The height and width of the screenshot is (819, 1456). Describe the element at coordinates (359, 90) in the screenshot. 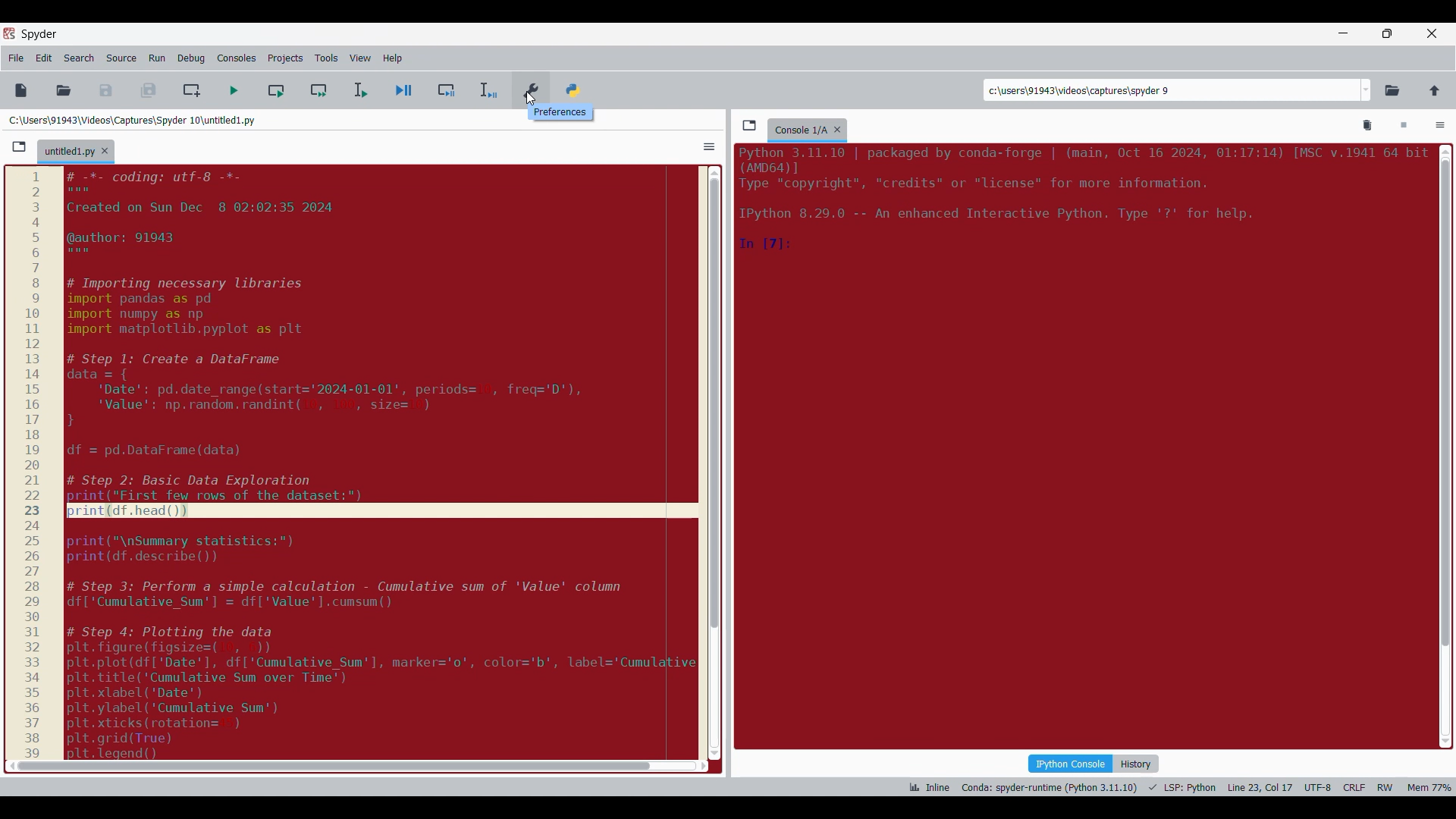

I see `Run selection/current line` at that location.